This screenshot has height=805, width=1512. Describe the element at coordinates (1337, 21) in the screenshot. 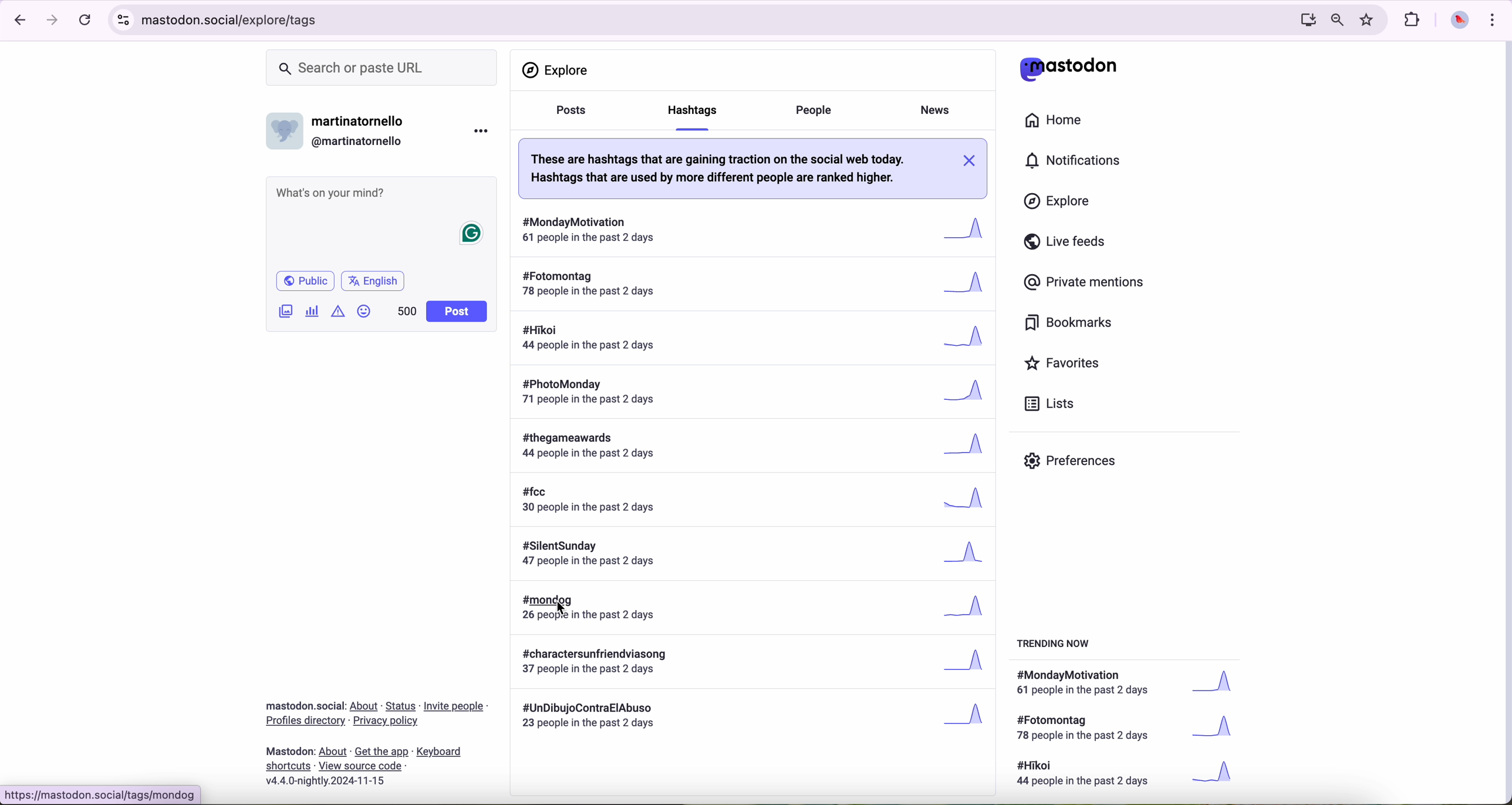

I see `zoom` at that location.